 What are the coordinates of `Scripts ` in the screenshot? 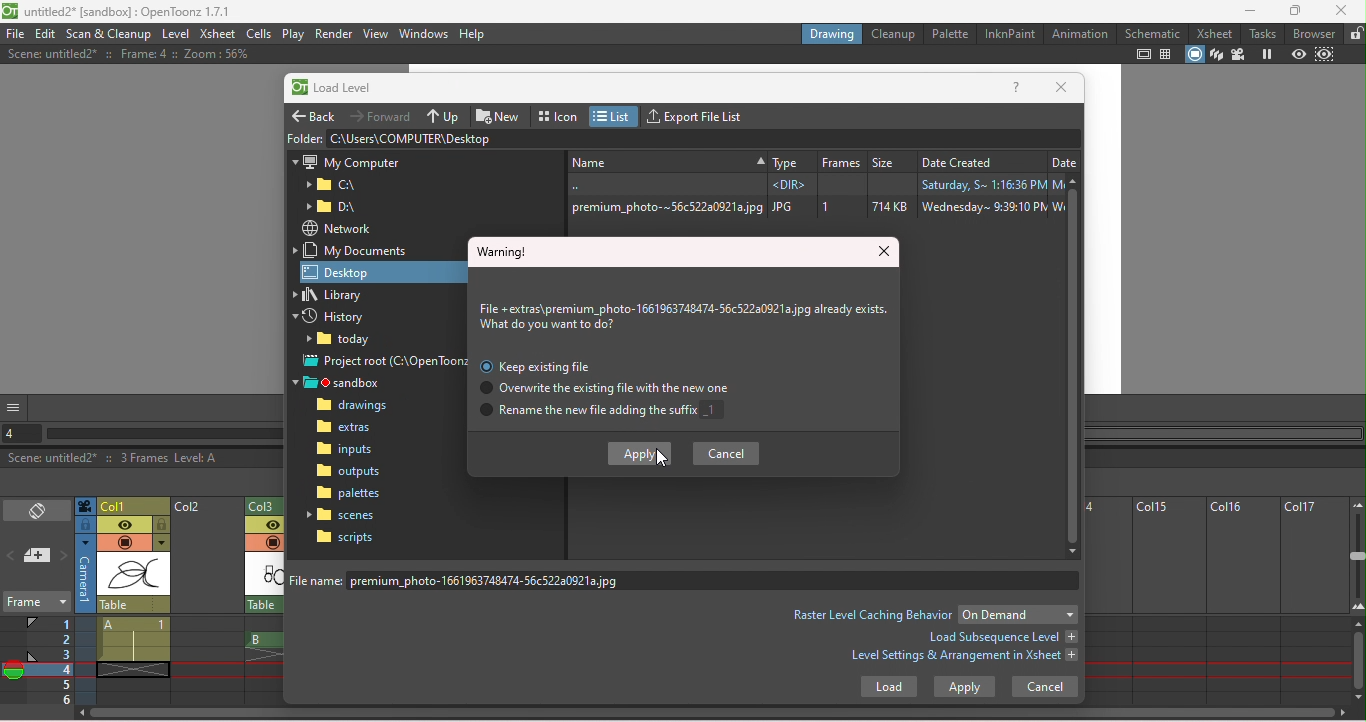 It's located at (345, 537).